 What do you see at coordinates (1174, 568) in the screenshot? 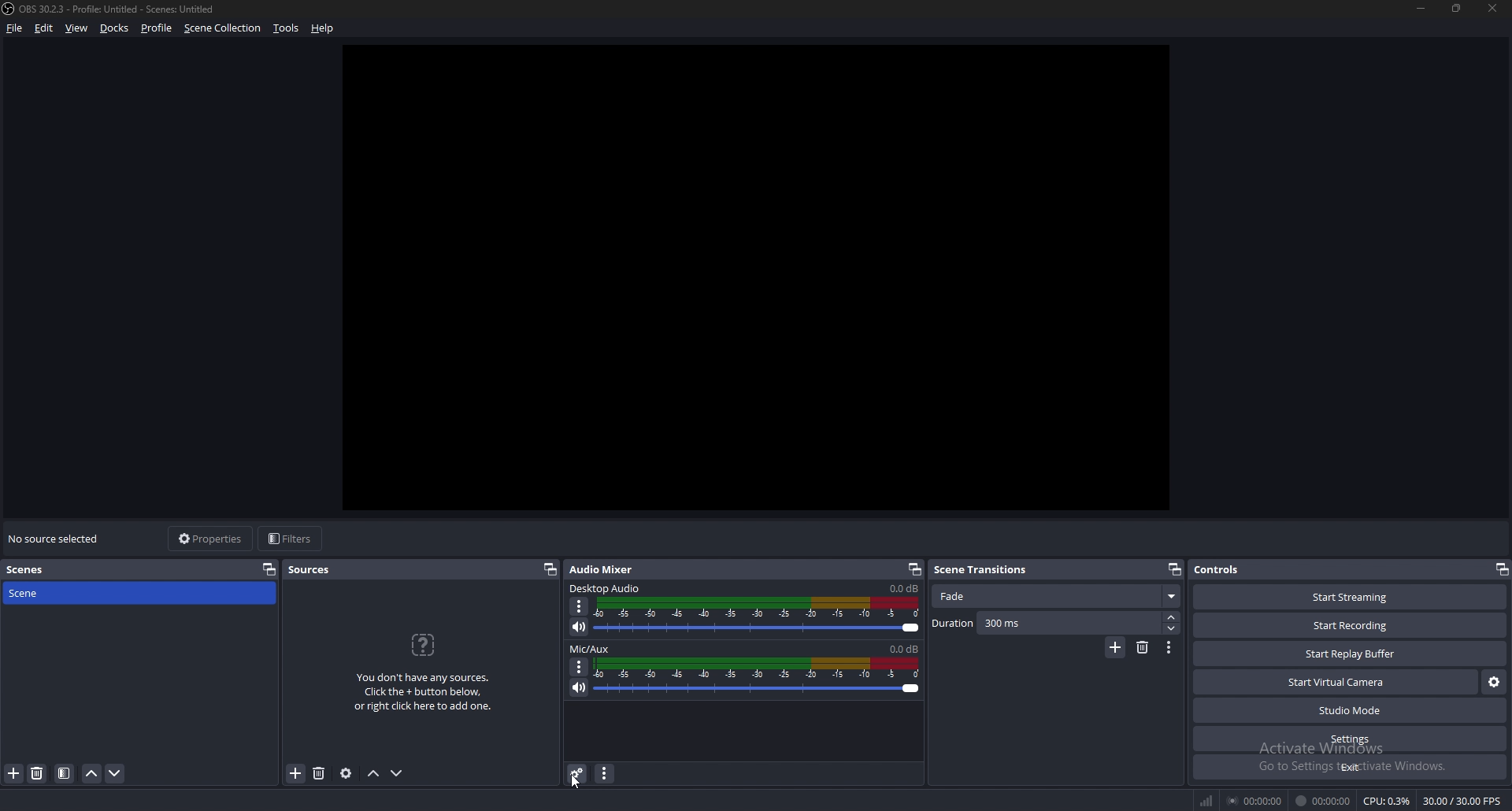
I see `popout` at bounding box center [1174, 568].